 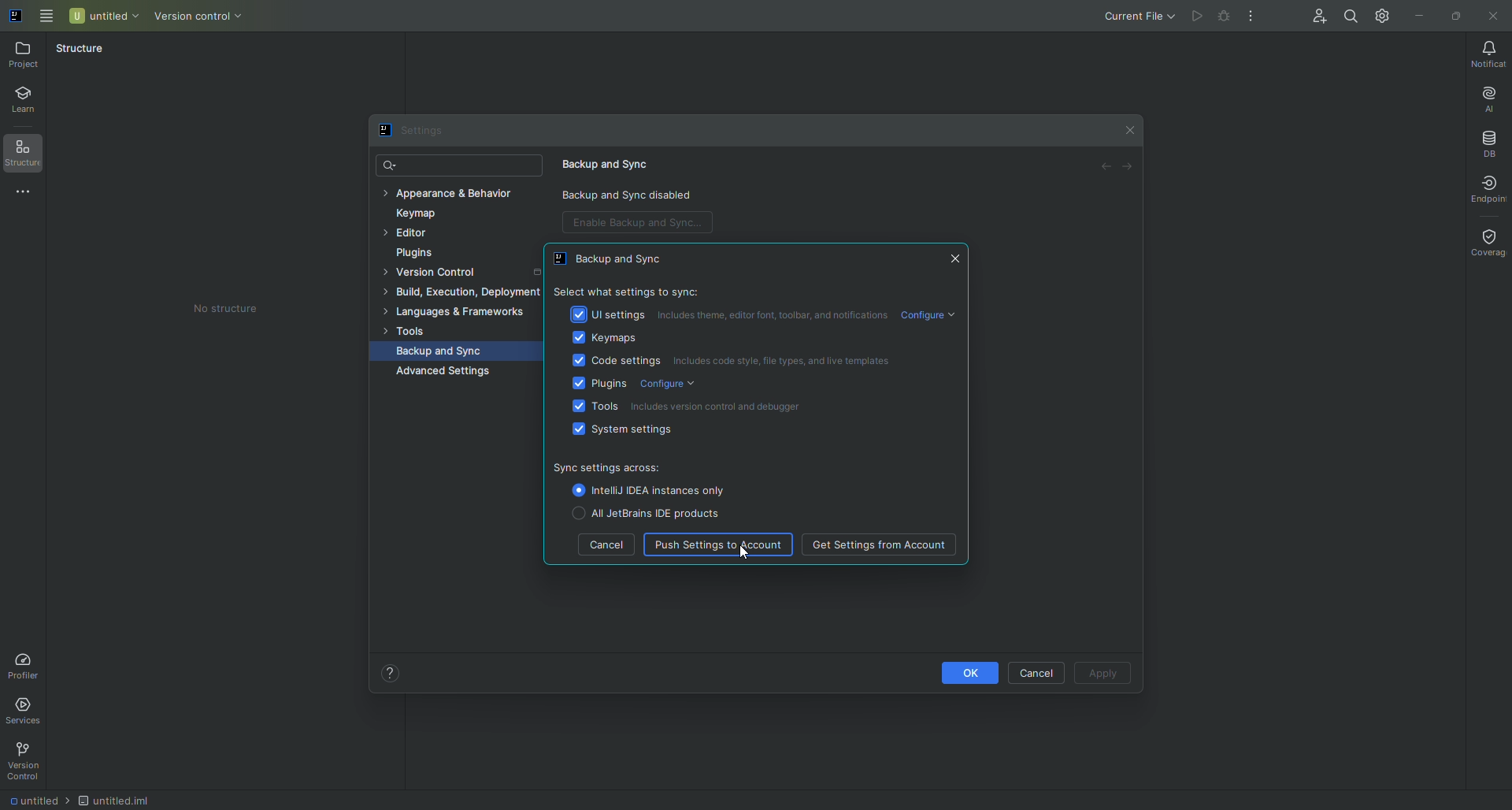 What do you see at coordinates (744, 552) in the screenshot?
I see `Cursor on Push Settings to Account` at bounding box center [744, 552].